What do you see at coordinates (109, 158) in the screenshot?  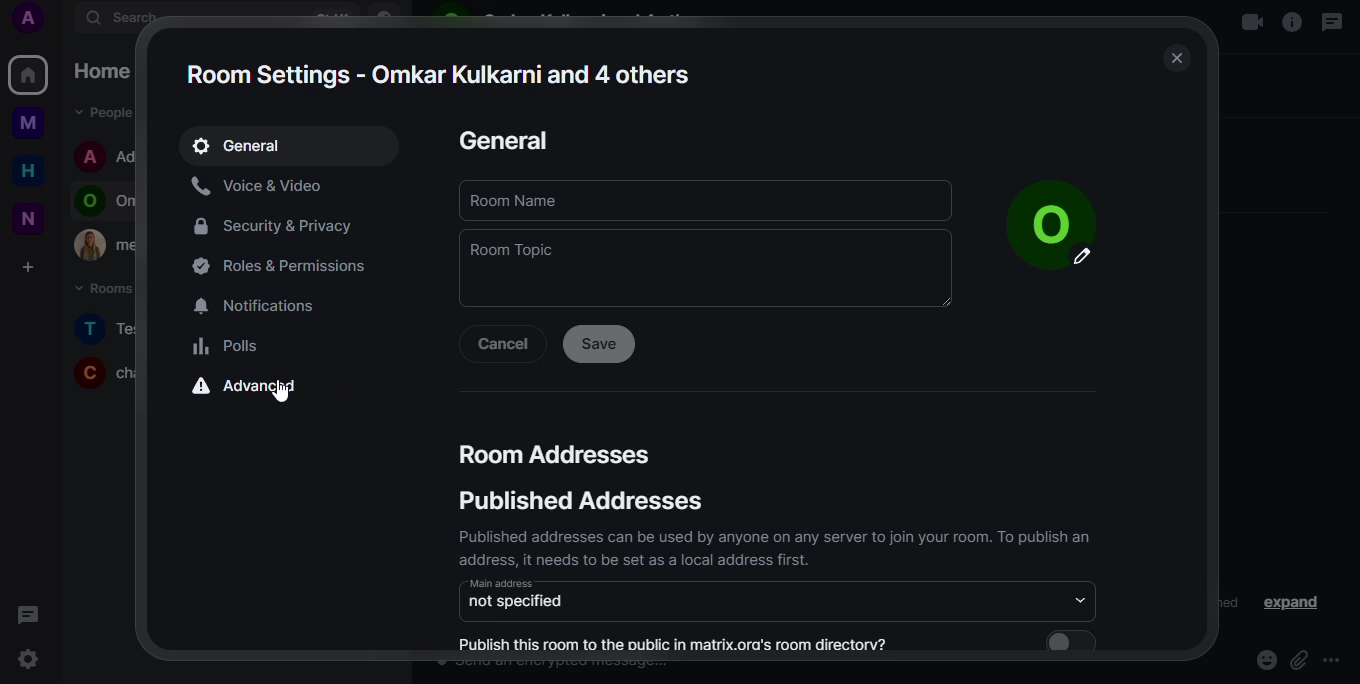 I see `contact` at bounding box center [109, 158].